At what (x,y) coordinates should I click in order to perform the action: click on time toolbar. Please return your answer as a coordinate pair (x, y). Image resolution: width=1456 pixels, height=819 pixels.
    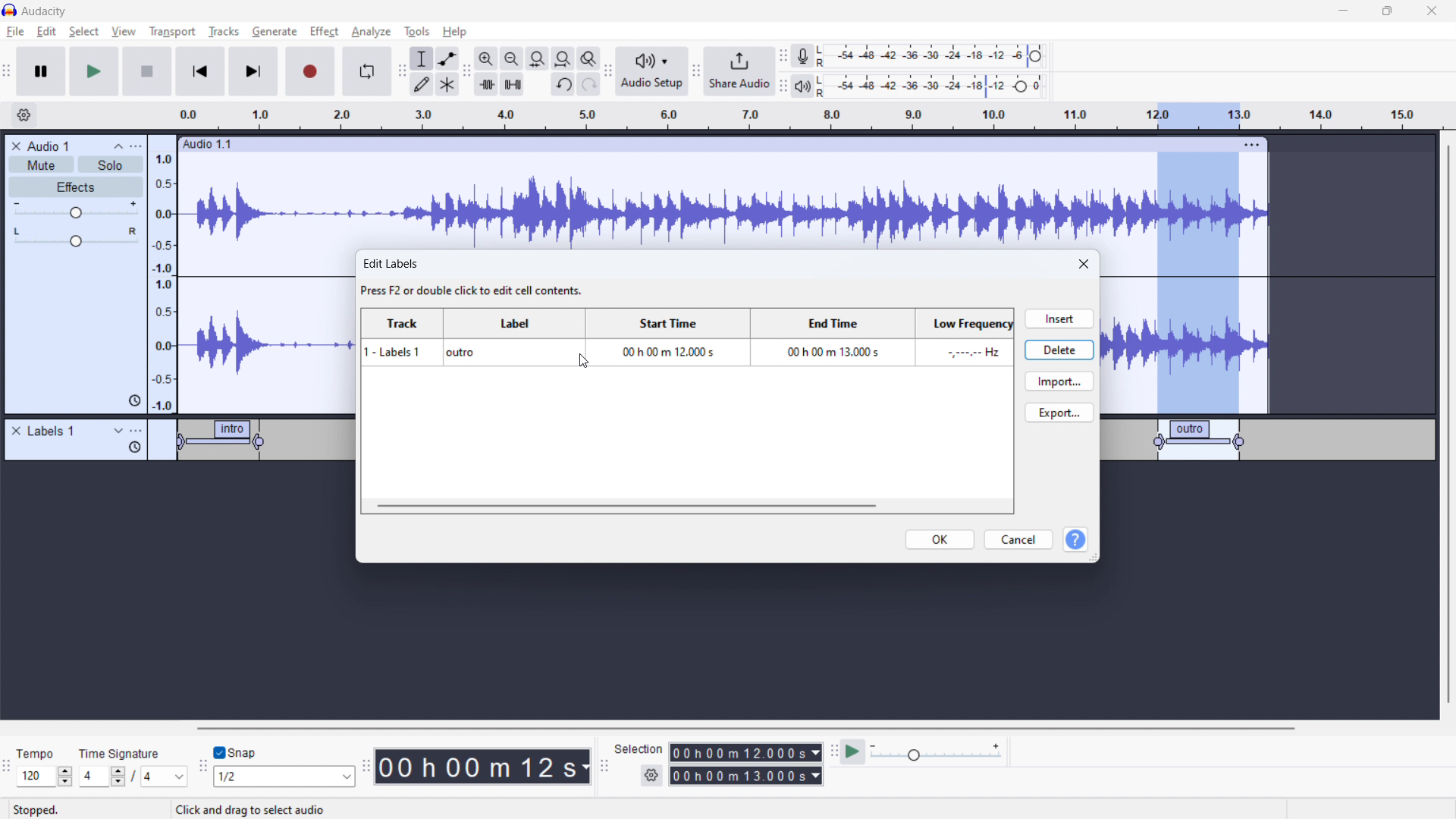
    Looking at the image, I should click on (366, 768).